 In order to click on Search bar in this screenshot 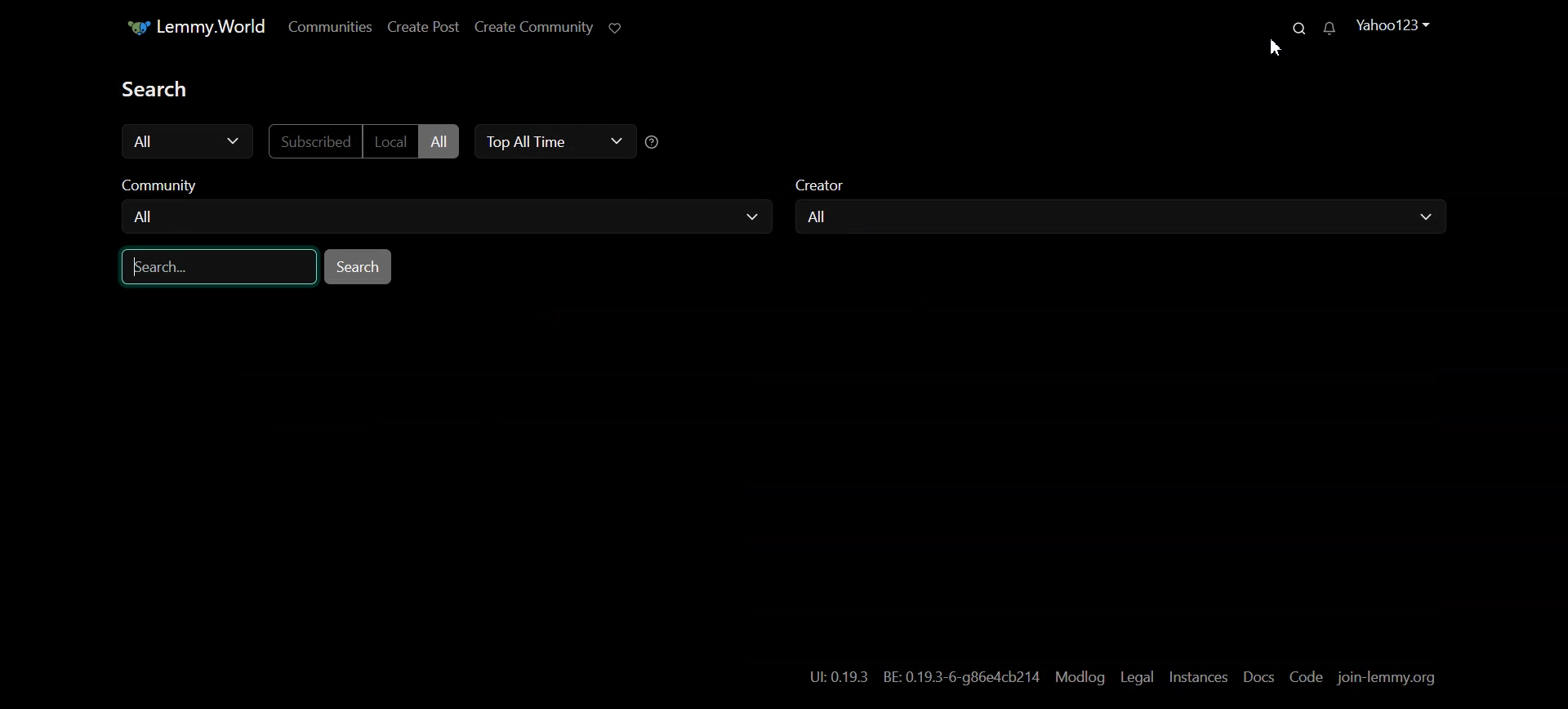, I will do `click(216, 269)`.